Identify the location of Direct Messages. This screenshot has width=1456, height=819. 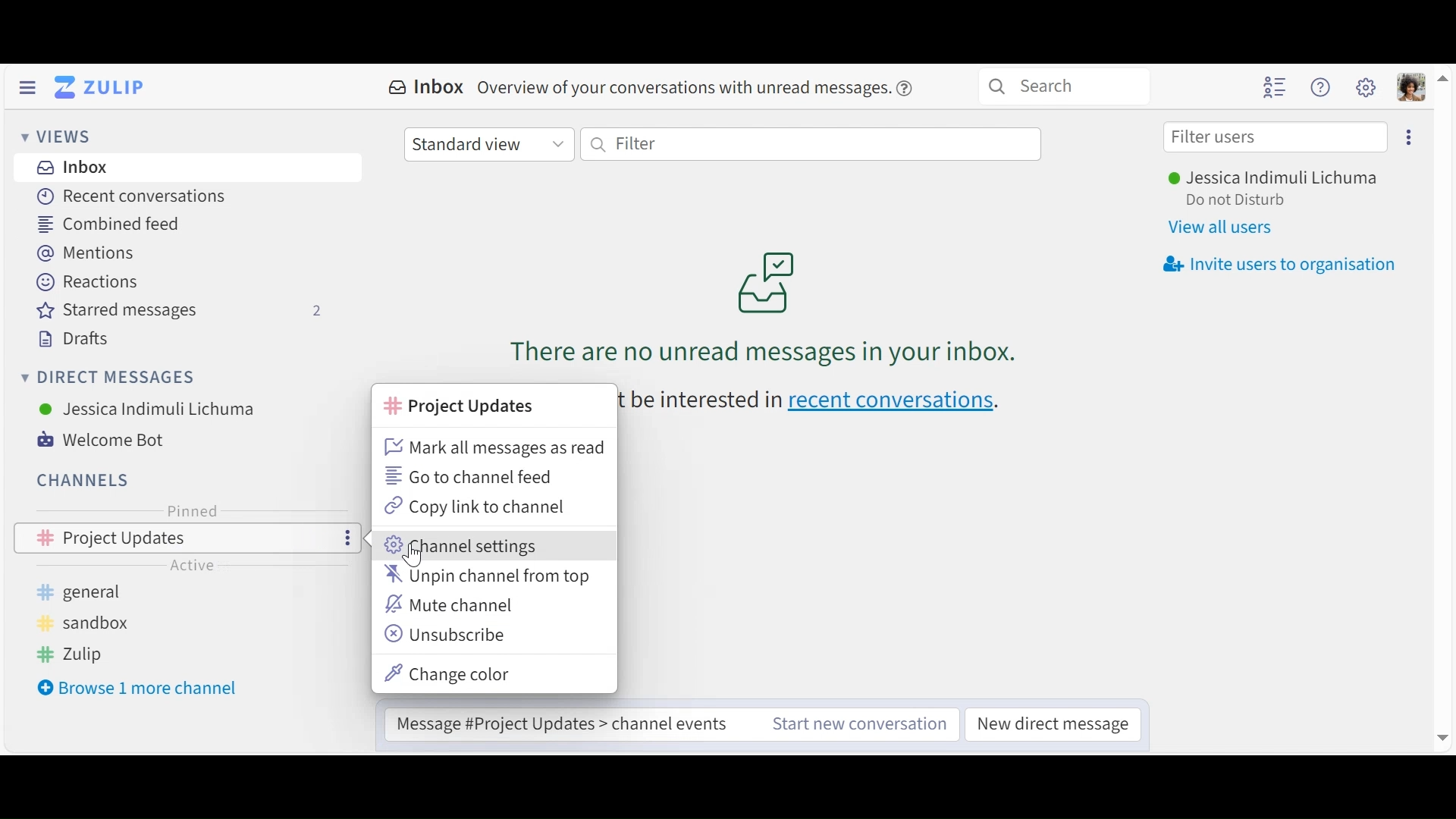
(108, 378).